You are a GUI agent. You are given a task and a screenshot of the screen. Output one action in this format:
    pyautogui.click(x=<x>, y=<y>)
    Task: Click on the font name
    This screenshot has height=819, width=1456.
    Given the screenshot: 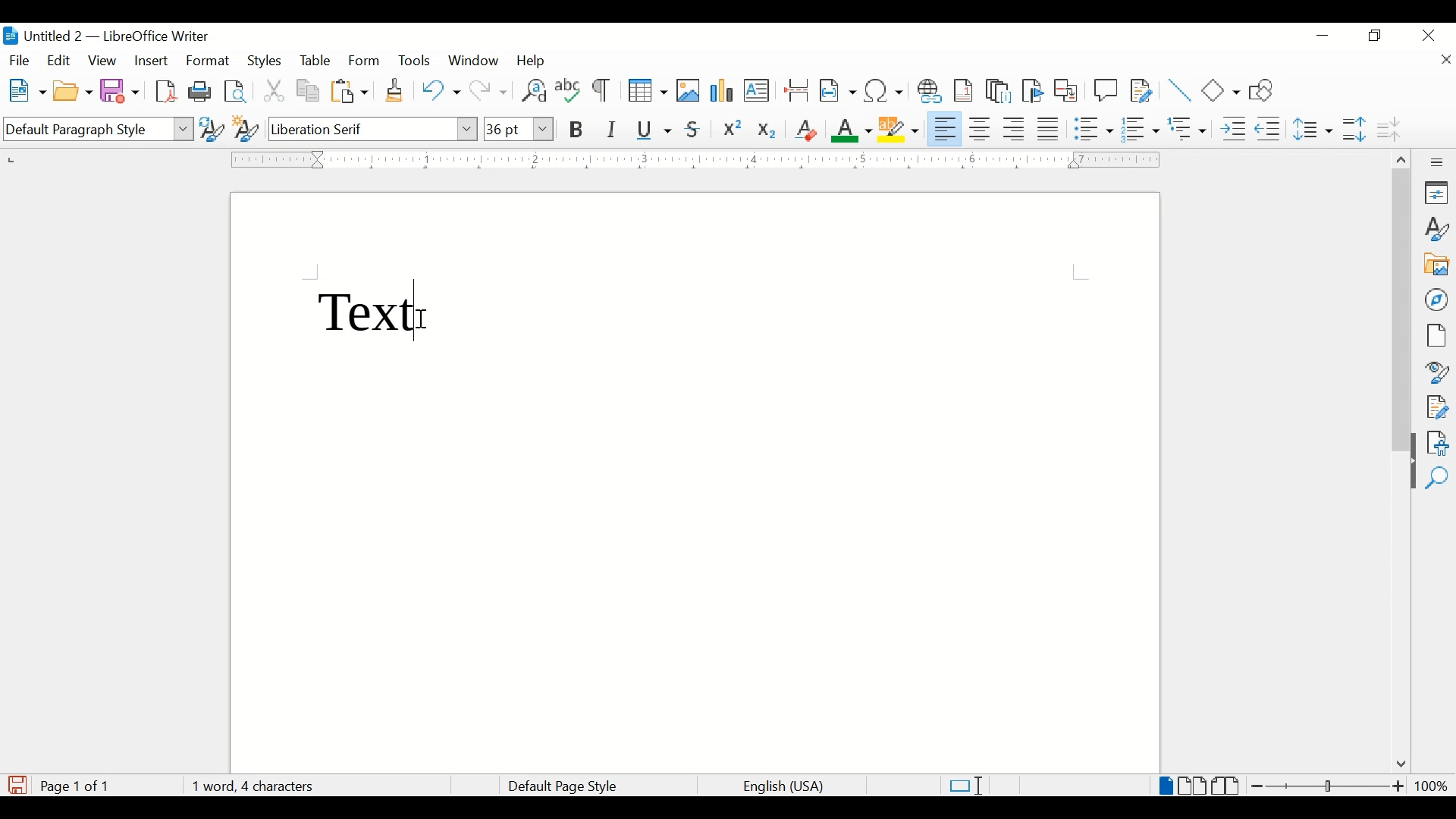 What is the action you would take?
    pyautogui.click(x=374, y=128)
    